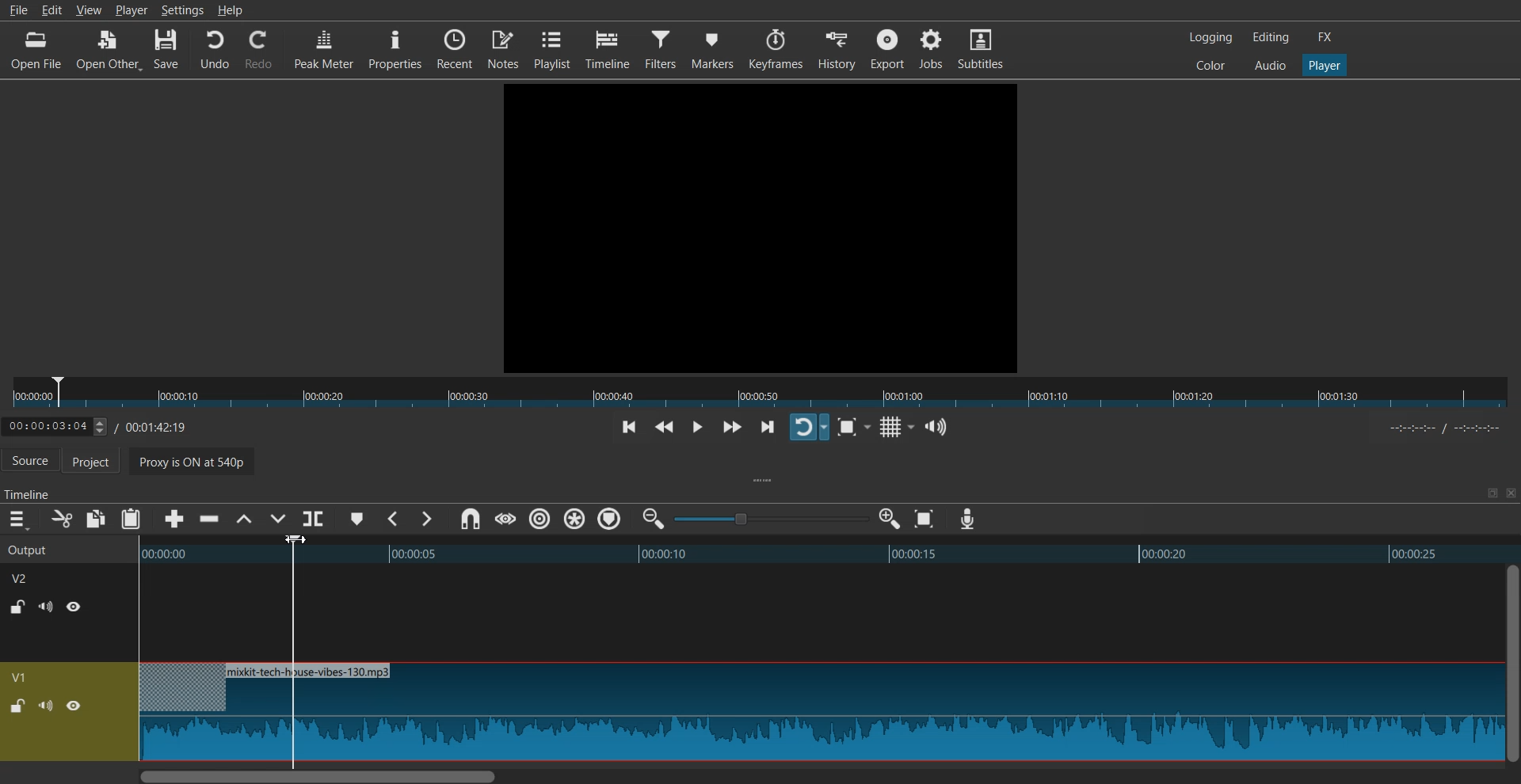  What do you see at coordinates (809, 427) in the screenshot?
I see `Toggle player lopping` at bounding box center [809, 427].